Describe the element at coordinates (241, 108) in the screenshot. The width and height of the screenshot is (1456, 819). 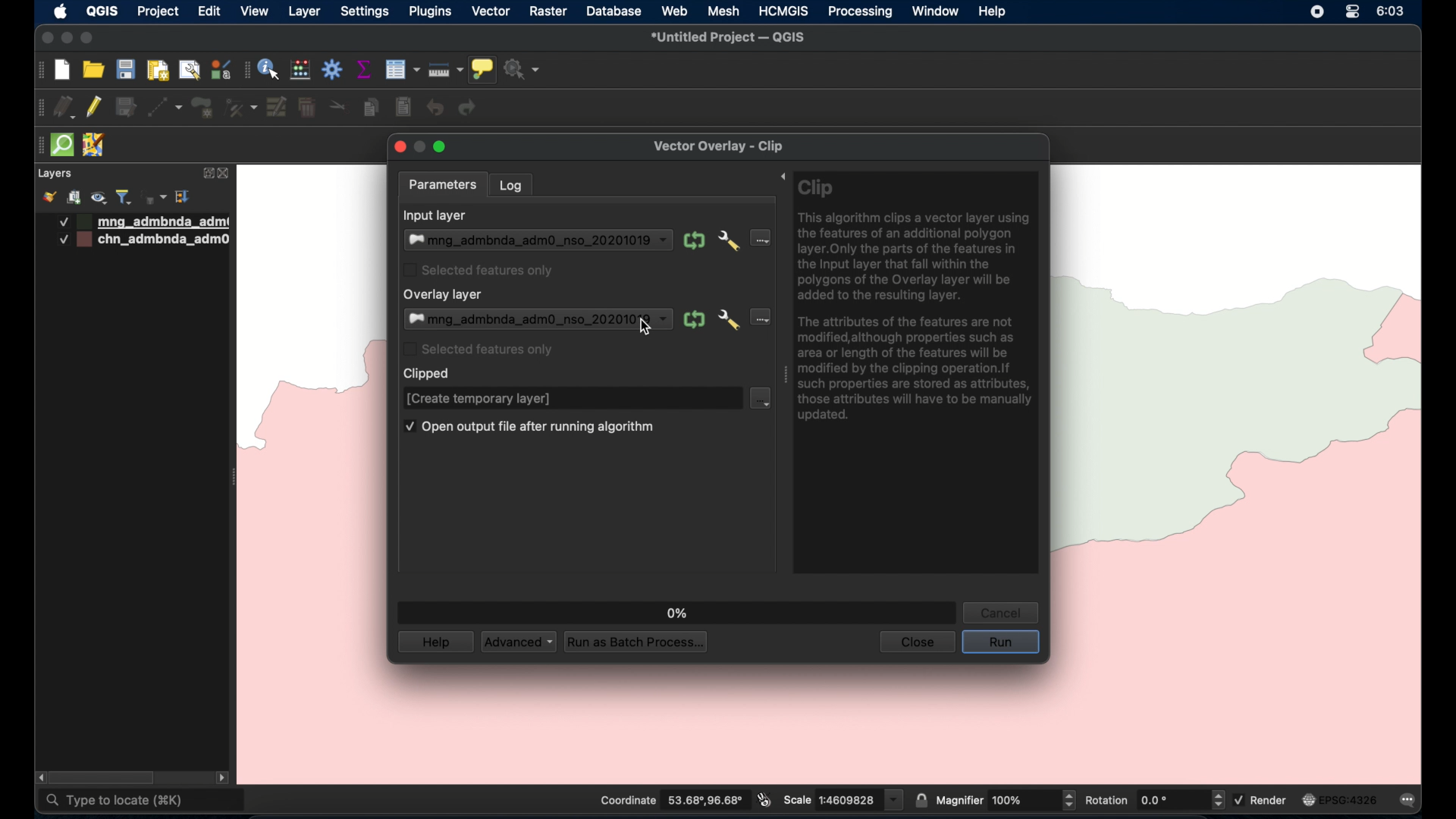
I see `vertex tool` at that location.